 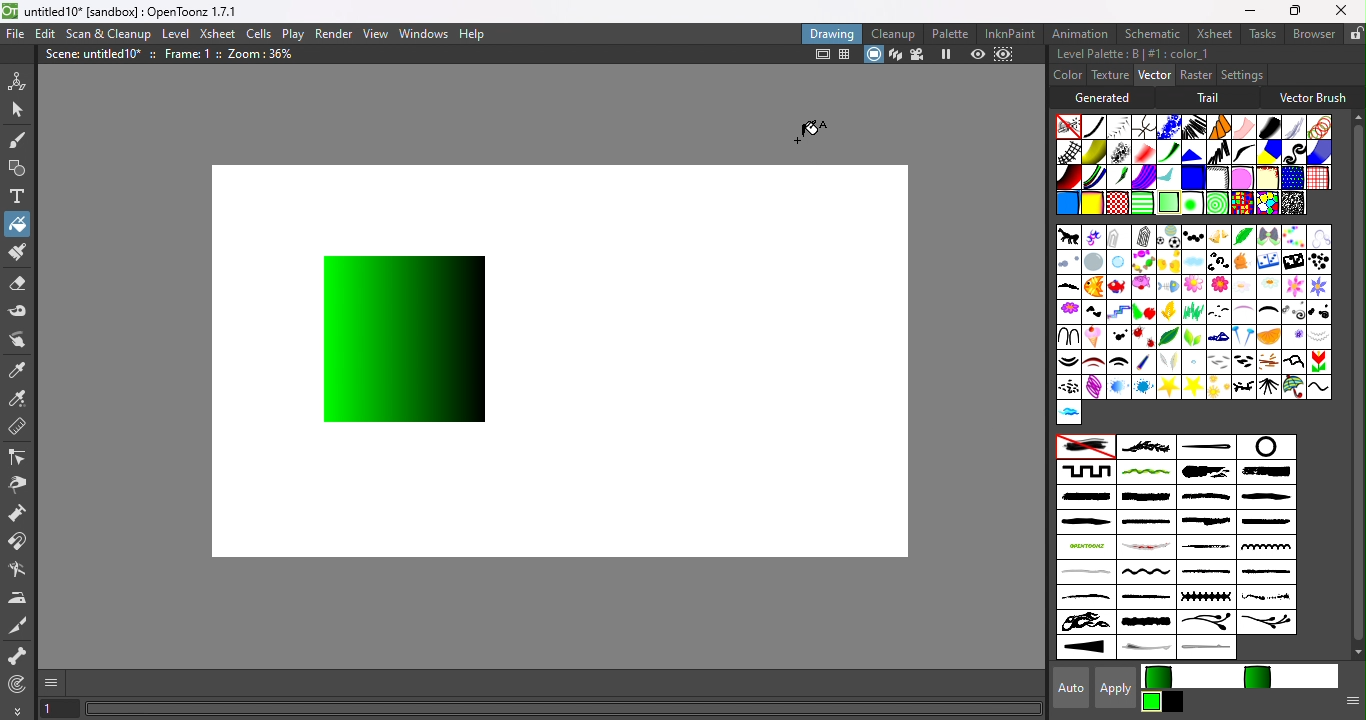 I want to click on Magnet tool, so click(x=20, y=543).